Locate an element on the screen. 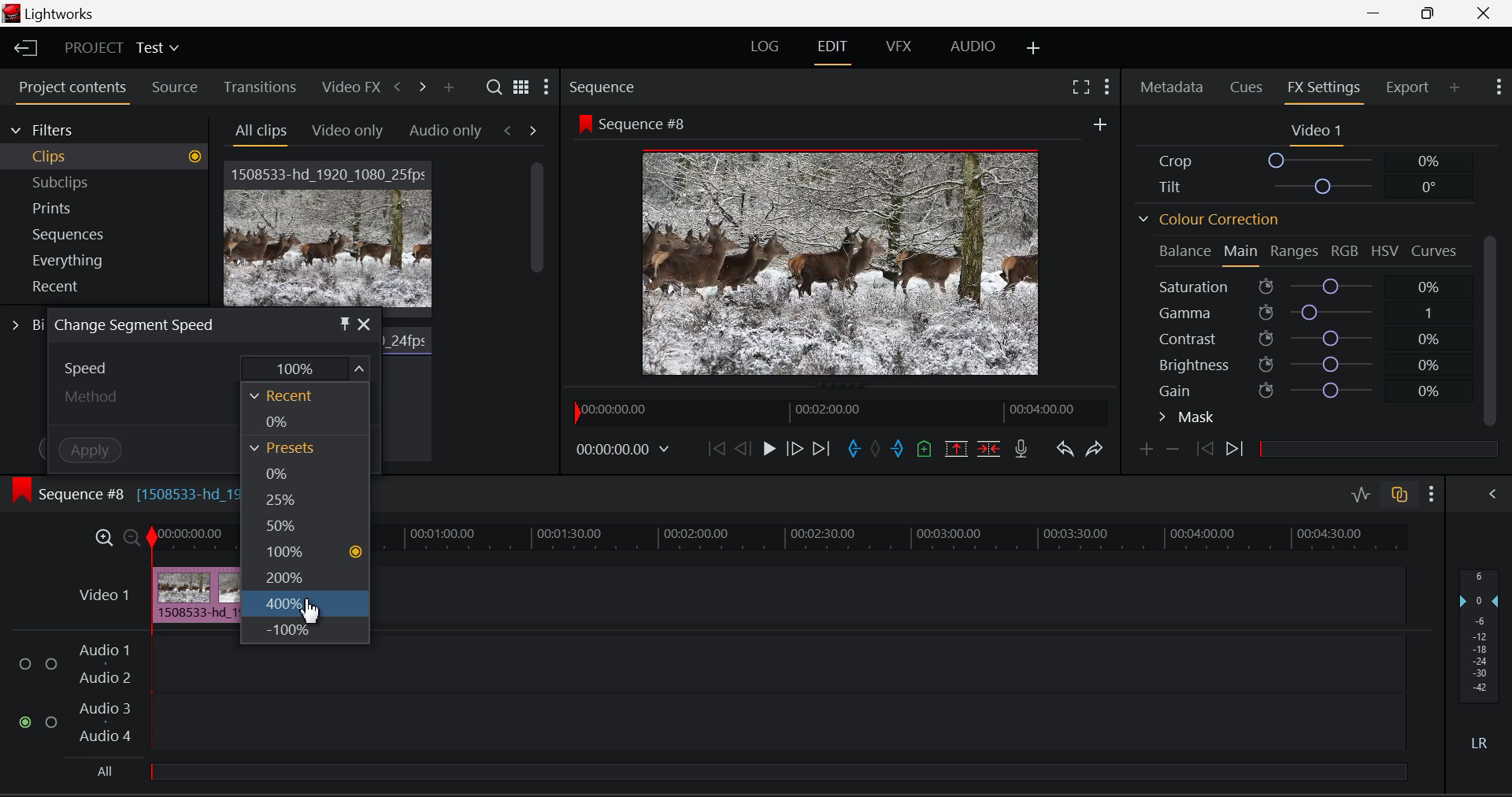 The height and width of the screenshot is (797, 1512). Remove All Marks is located at coordinates (877, 447).